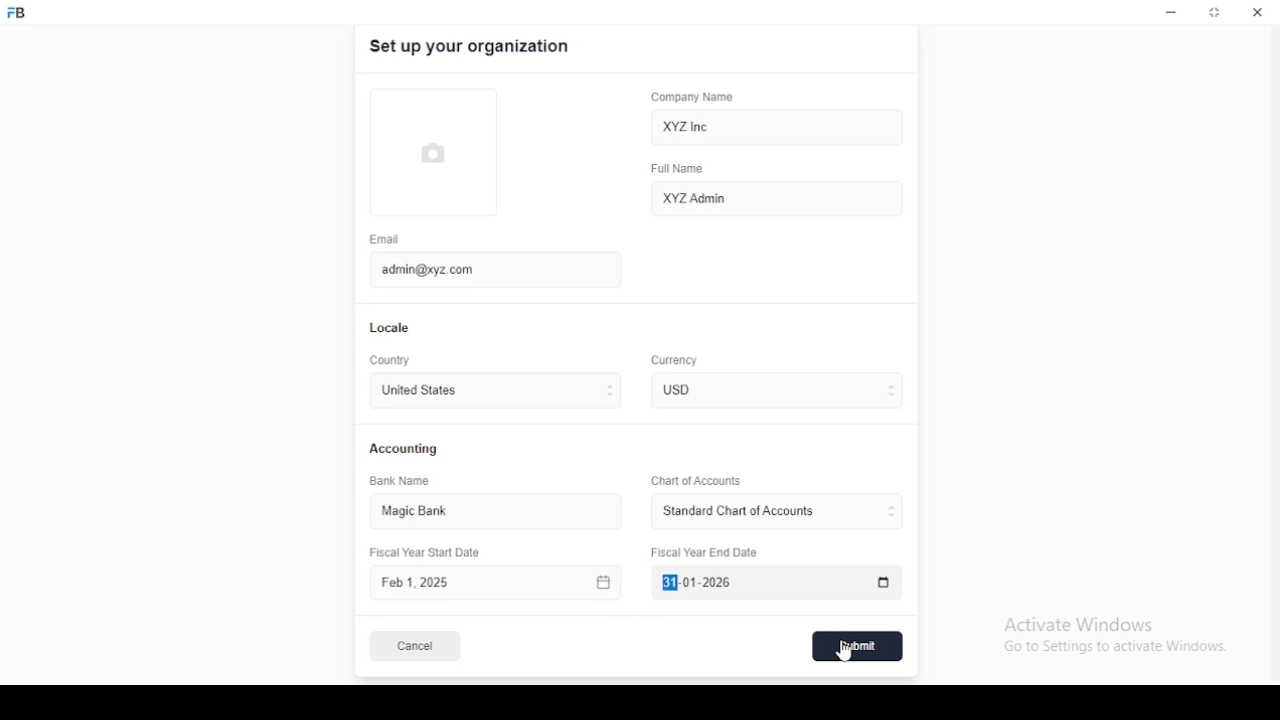 This screenshot has width=1280, height=720. What do you see at coordinates (847, 651) in the screenshot?
I see `mouse pointer` at bounding box center [847, 651].